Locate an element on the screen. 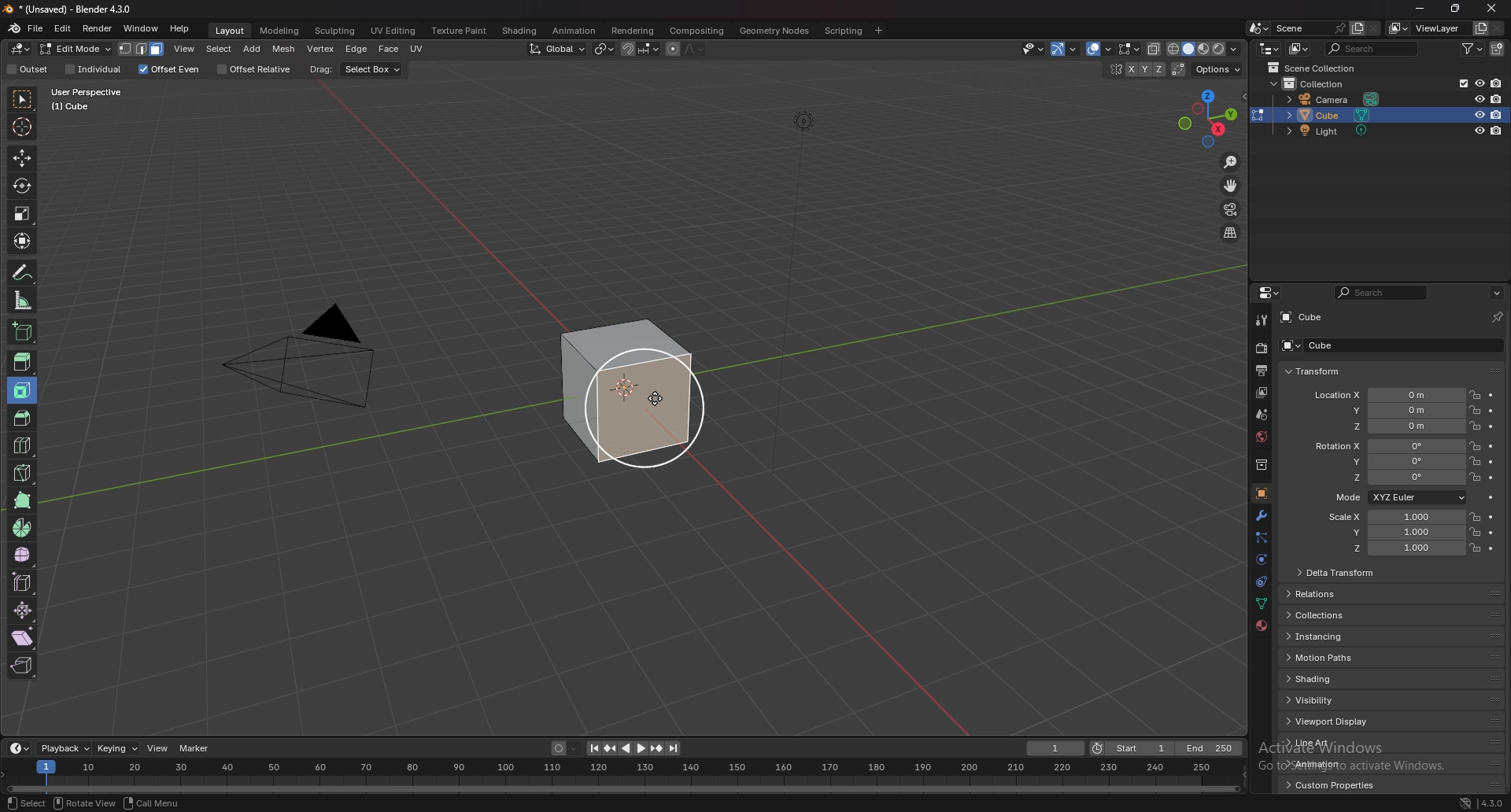  add workspace is located at coordinates (878, 31).